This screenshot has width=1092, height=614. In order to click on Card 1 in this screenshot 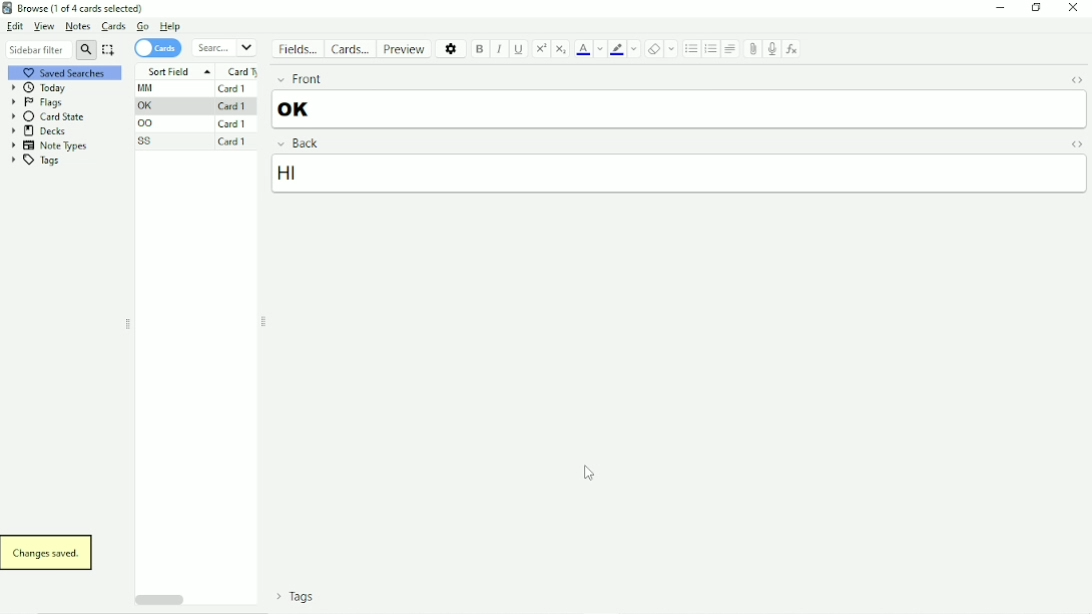, I will do `click(233, 124)`.